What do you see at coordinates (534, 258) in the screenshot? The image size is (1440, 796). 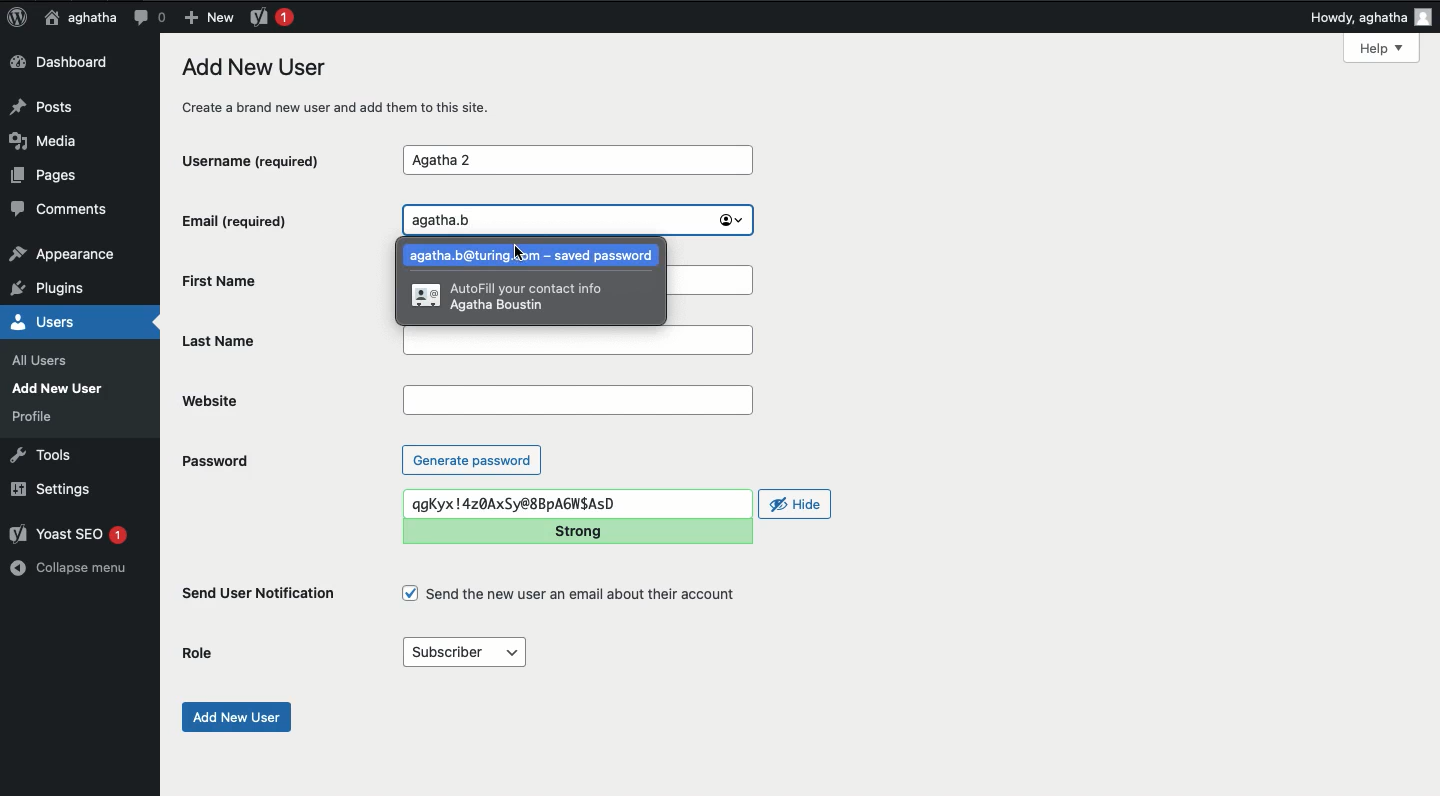 I see `agatha.b@turing.com-saved password` at bounding box center [534, 258].